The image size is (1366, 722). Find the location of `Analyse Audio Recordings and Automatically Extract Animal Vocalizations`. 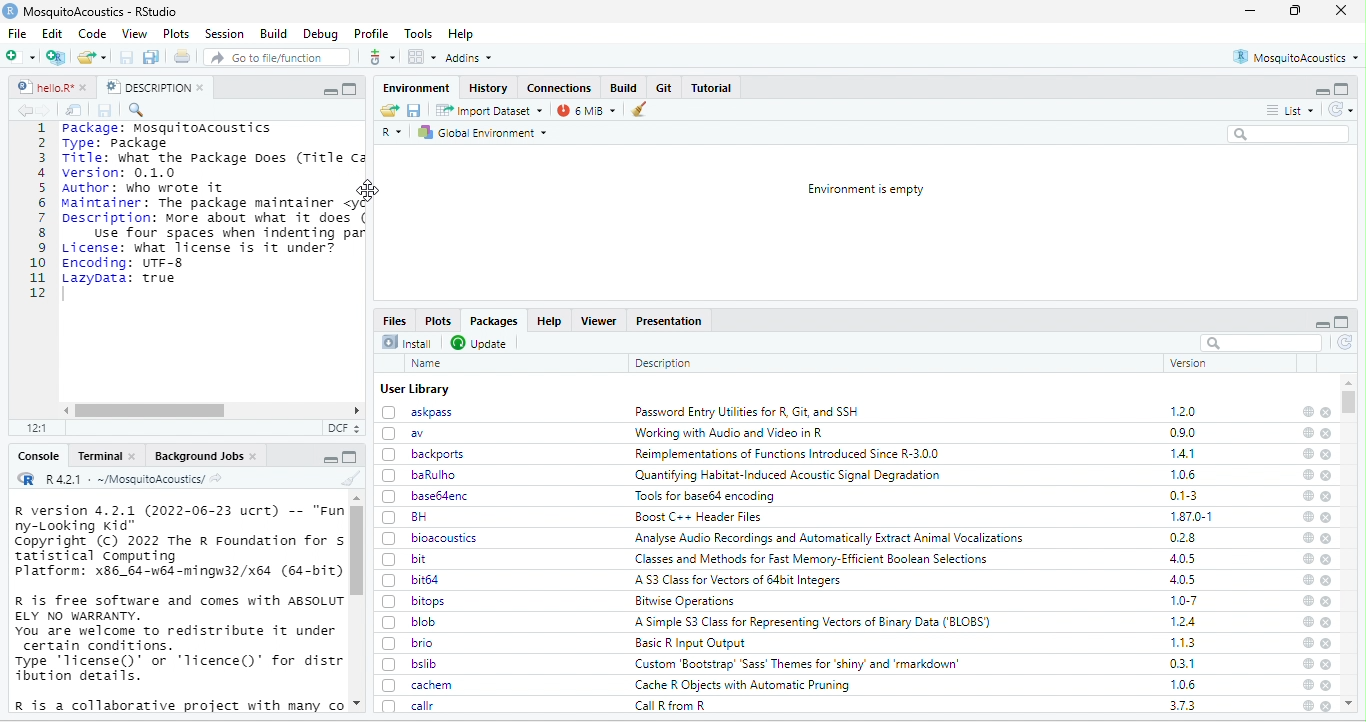

Analyse Audio Recordings and Automatically Extract Animal Vocalizations is located at coordinates (829, 538).